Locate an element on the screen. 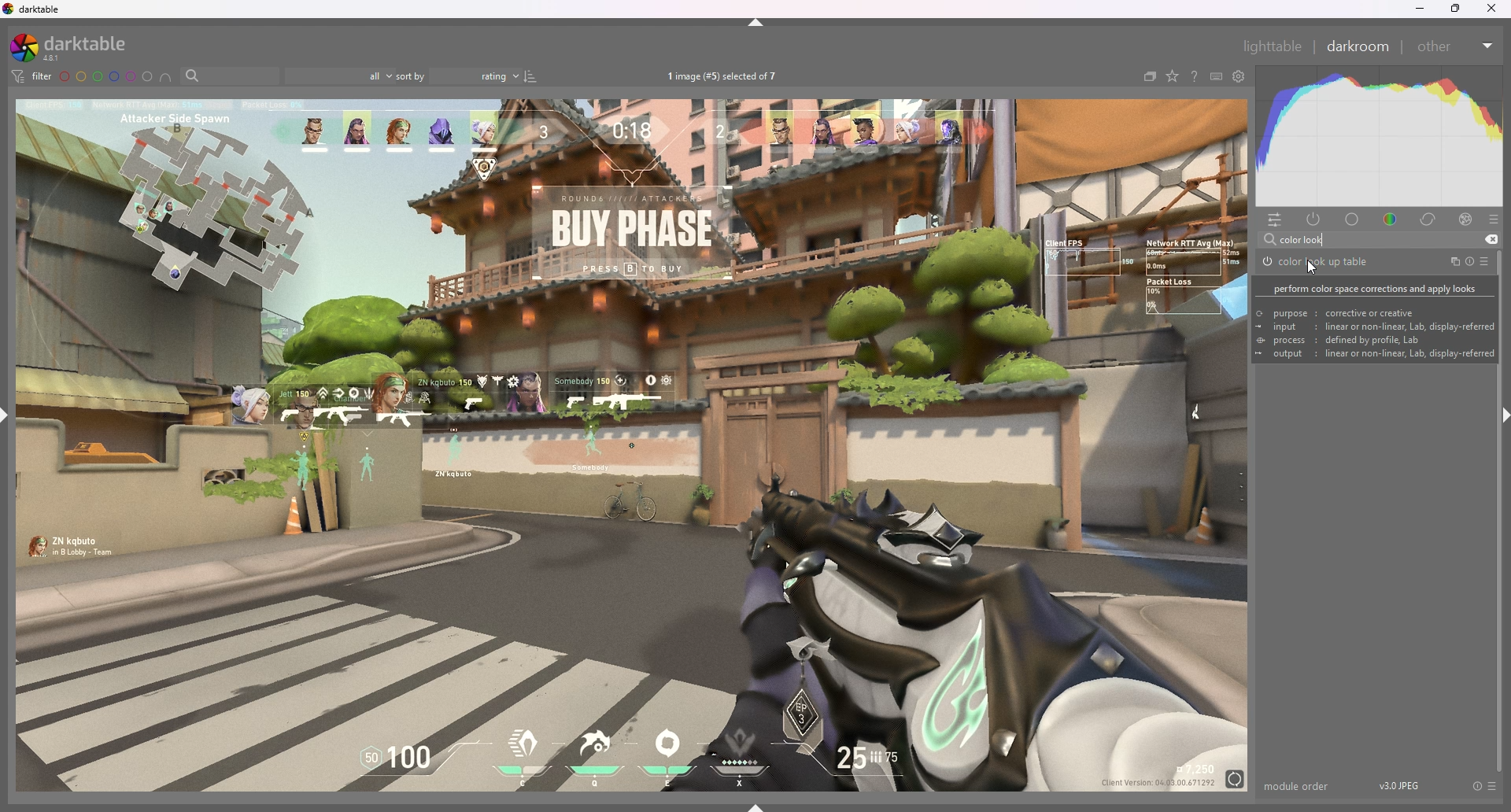 The height and width of the screenshot is (812, 1511). other is located at coordinates (1457, 46).